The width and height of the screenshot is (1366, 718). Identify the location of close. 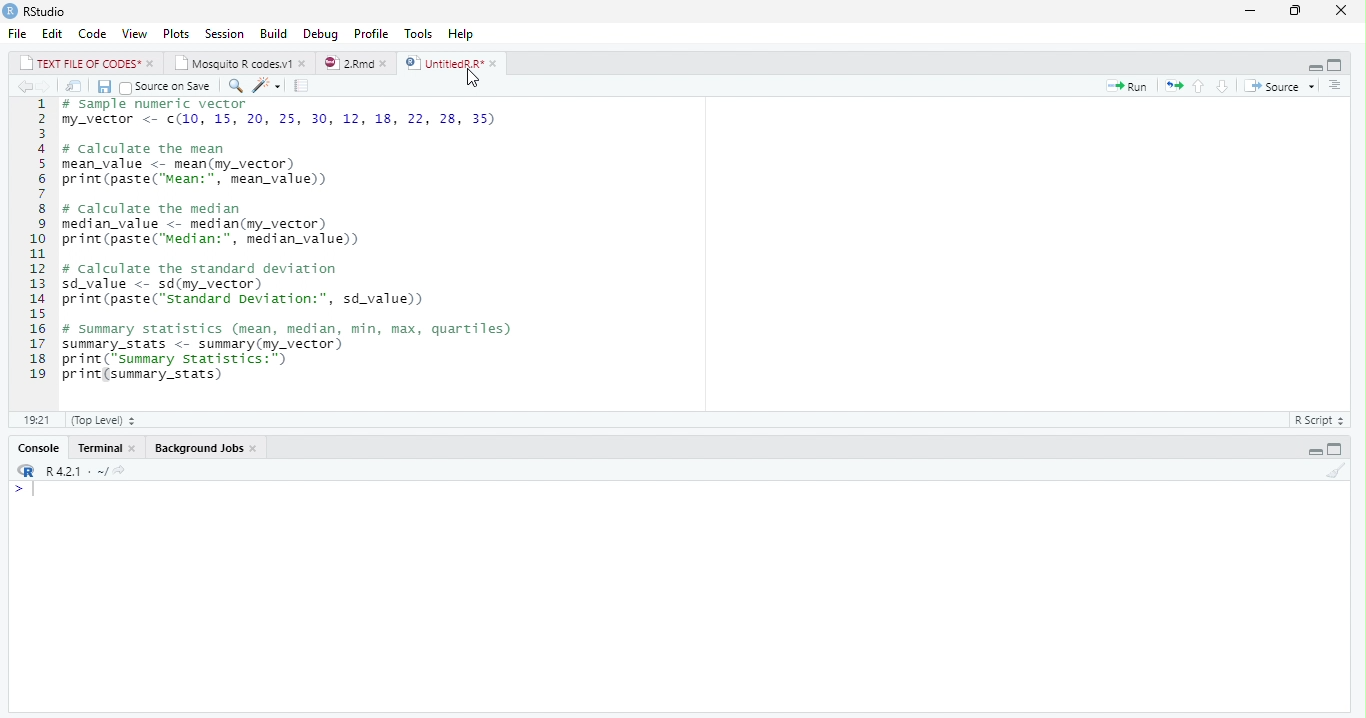
(152, 64).